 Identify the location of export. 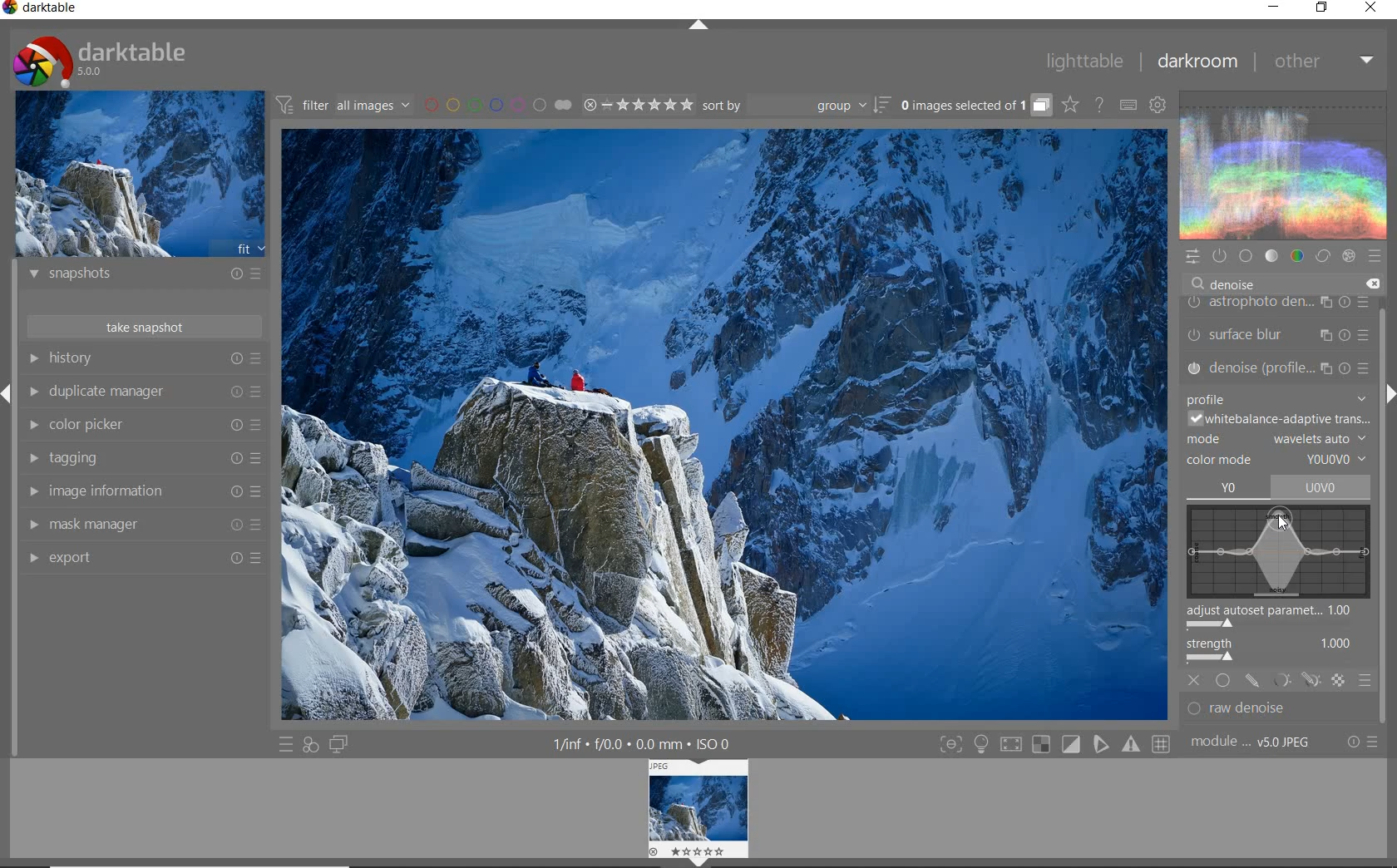
(141, 557).